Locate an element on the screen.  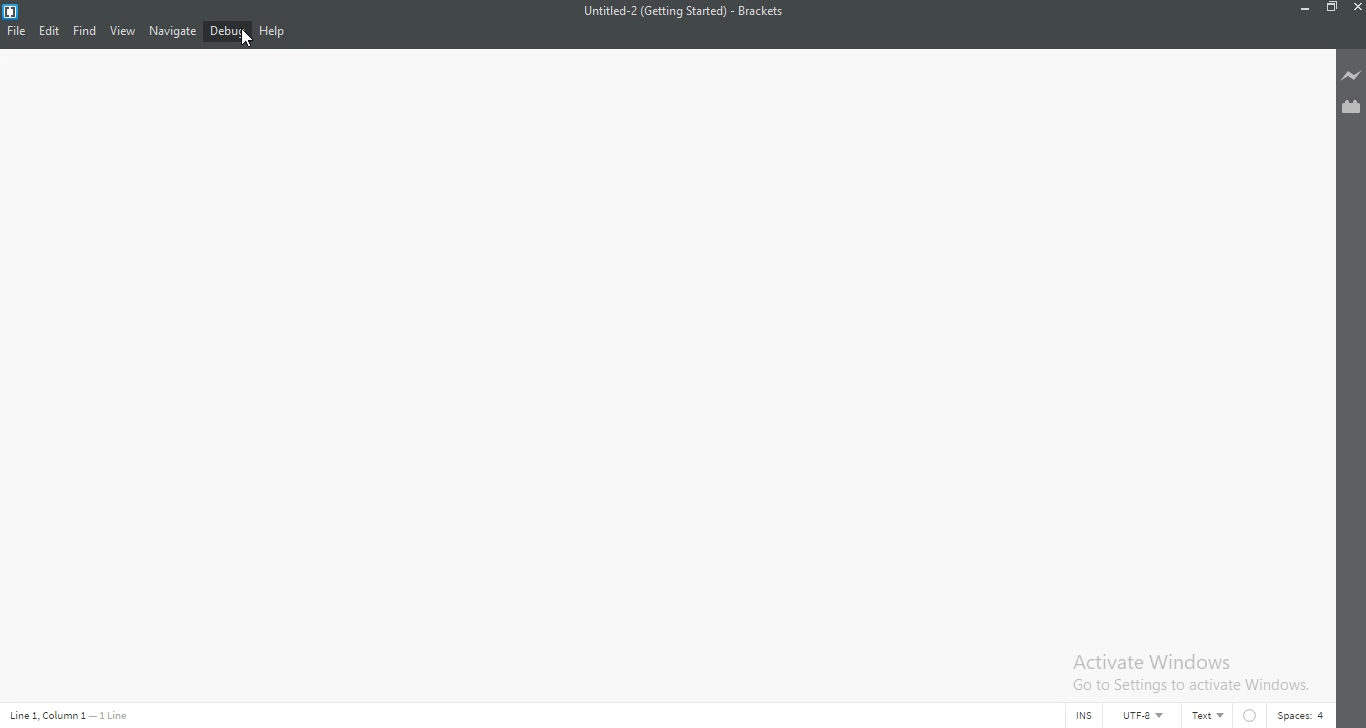
Edit is located at coordinates (49, 31).